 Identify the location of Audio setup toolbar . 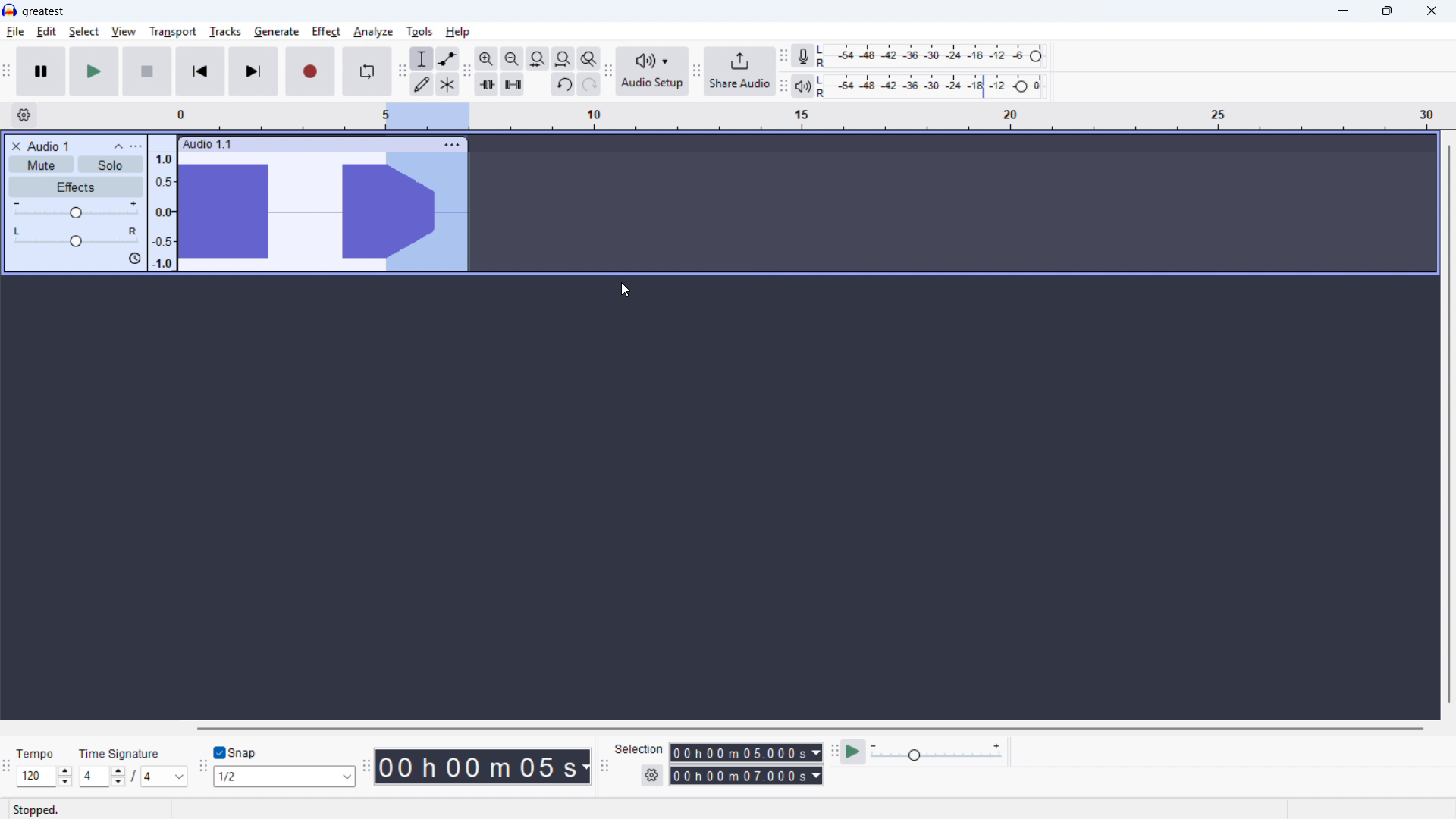
(609, 73).